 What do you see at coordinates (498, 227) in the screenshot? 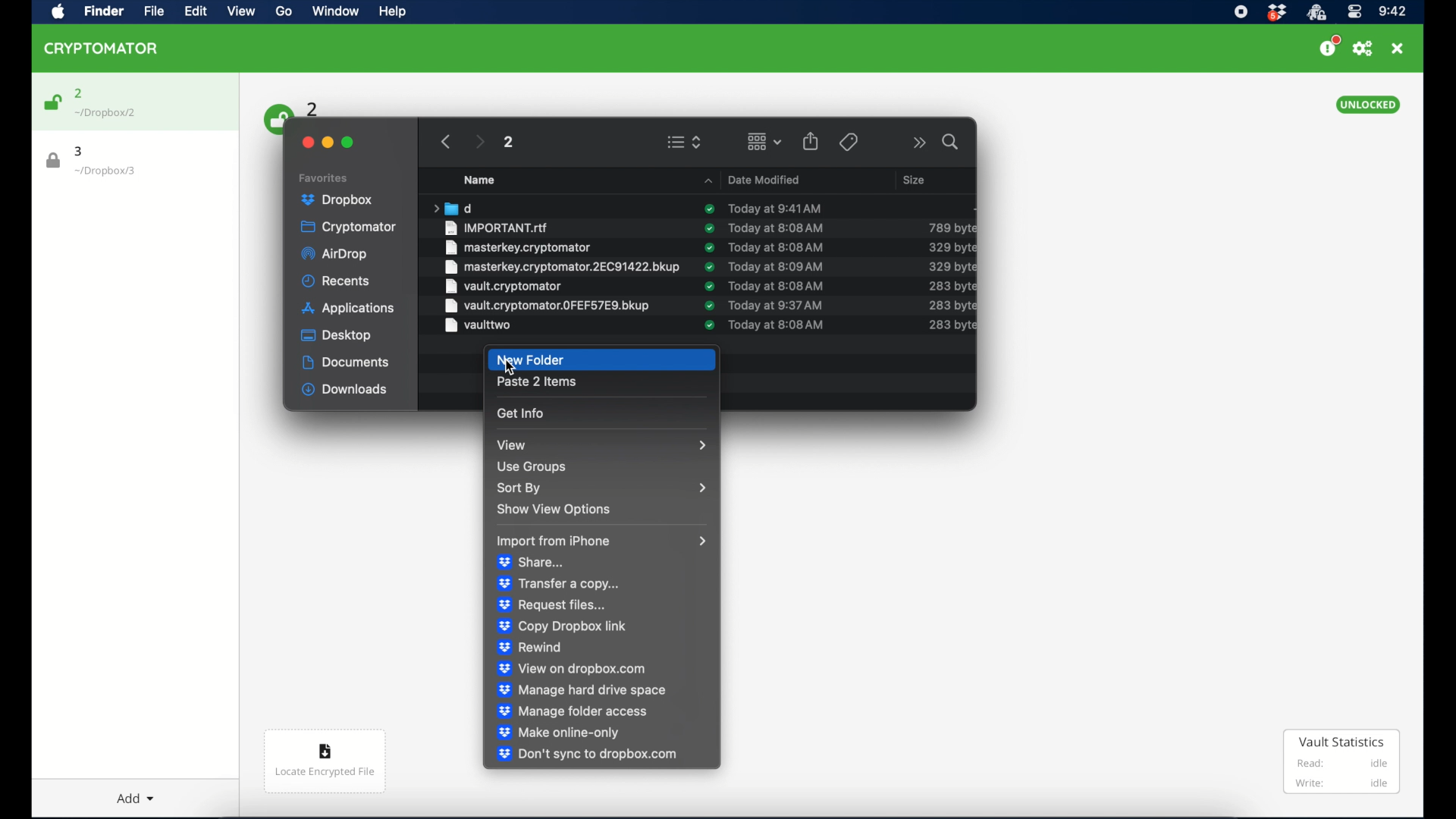
I see `important` at bounding box center [498, 227].